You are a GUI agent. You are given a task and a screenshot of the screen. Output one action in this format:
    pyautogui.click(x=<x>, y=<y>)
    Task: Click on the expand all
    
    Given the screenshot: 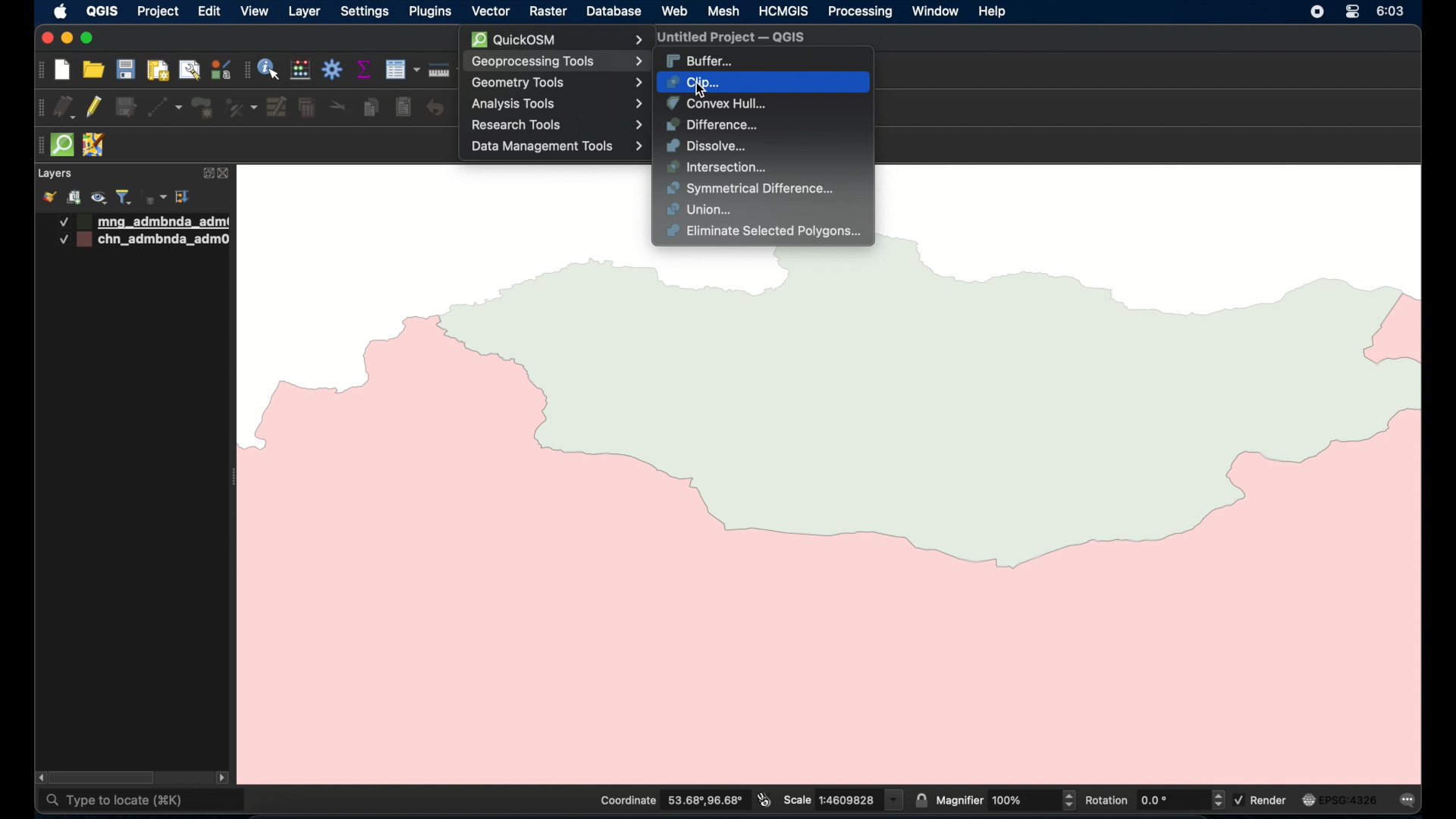 What is the action you would take?
    pyautogui.click(x=184, y=197)
    